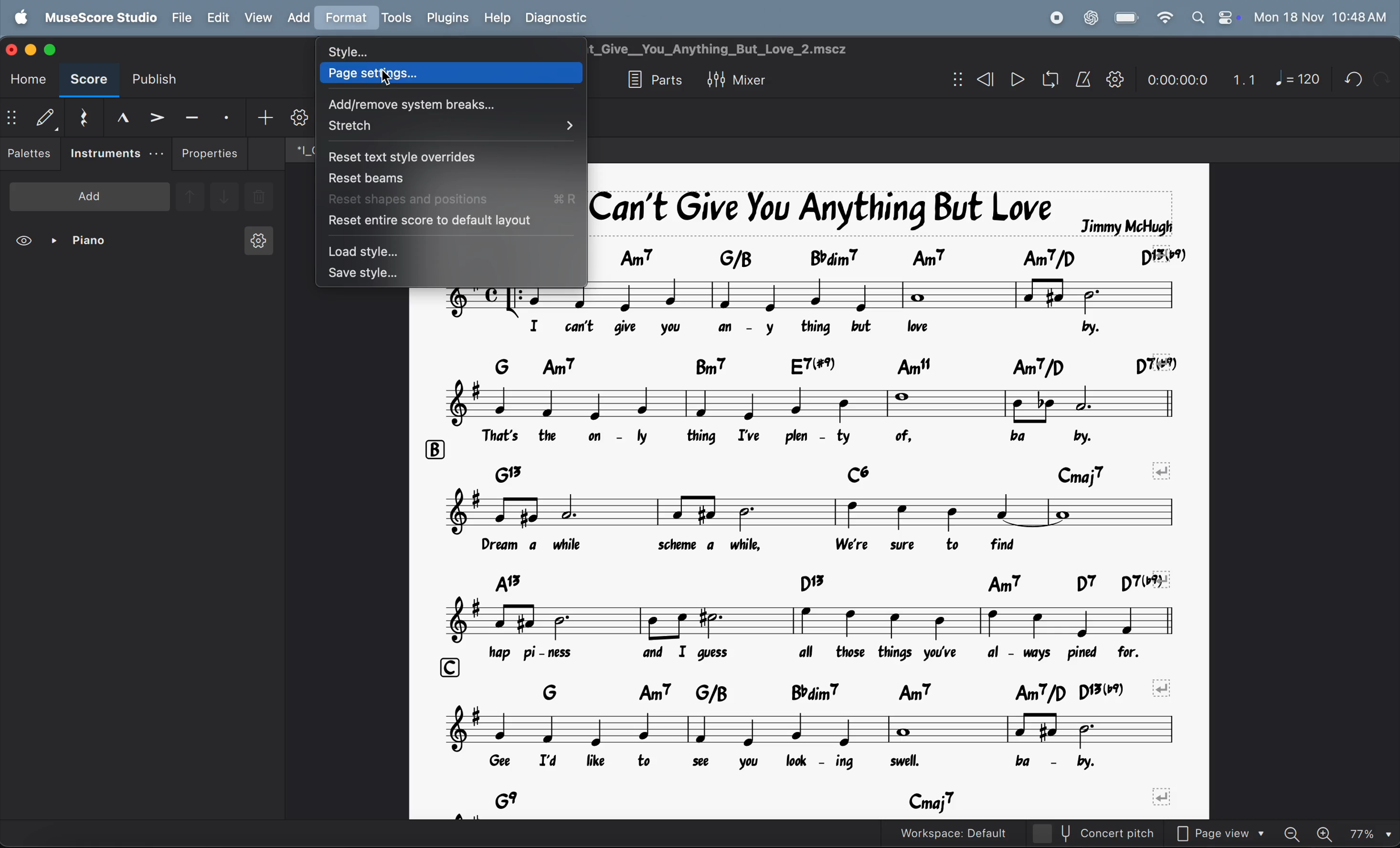 This screenshot has width=1400, height=848. I want to click on undo, so click(1381, 78).